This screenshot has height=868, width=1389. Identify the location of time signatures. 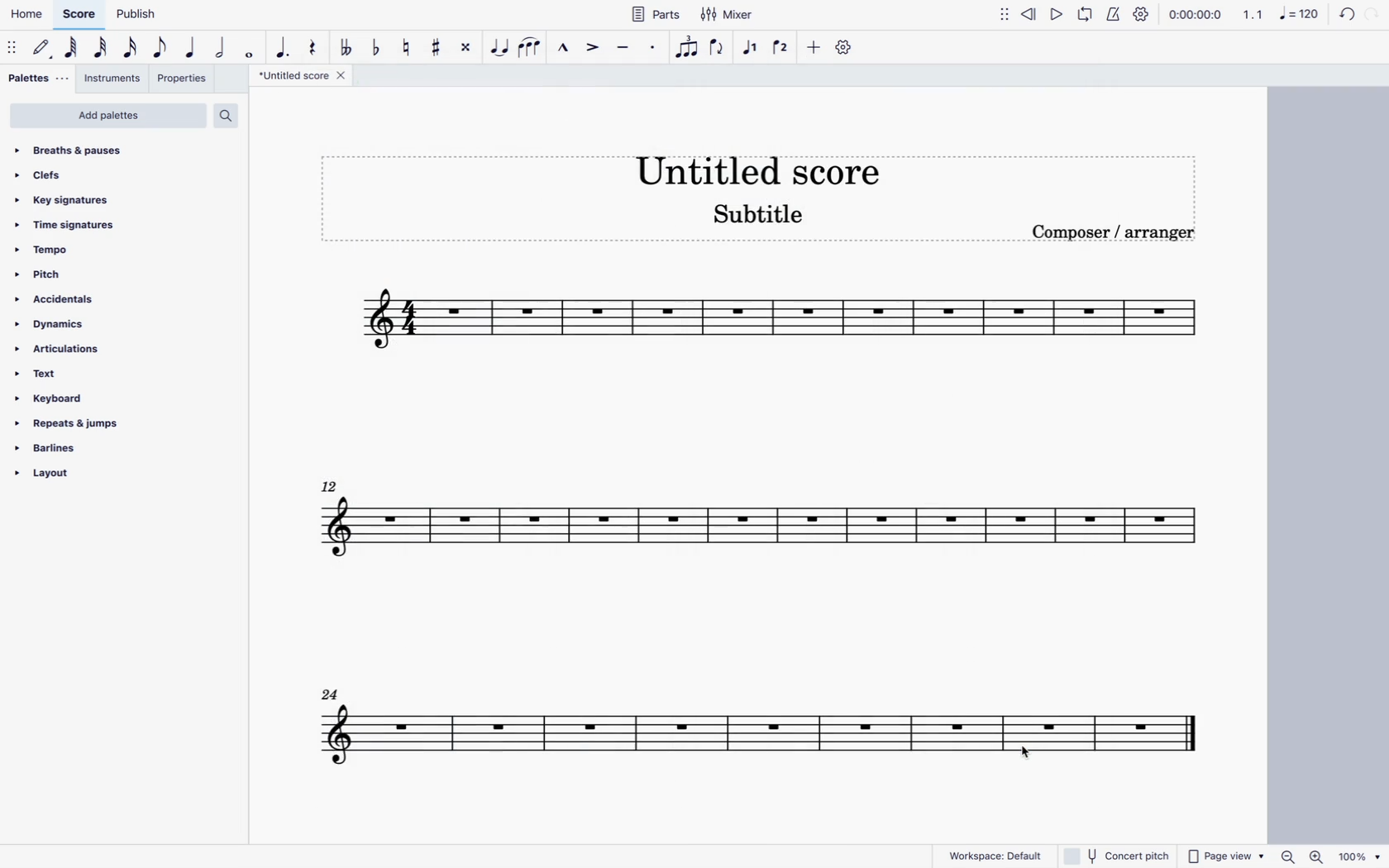
(70, 225).